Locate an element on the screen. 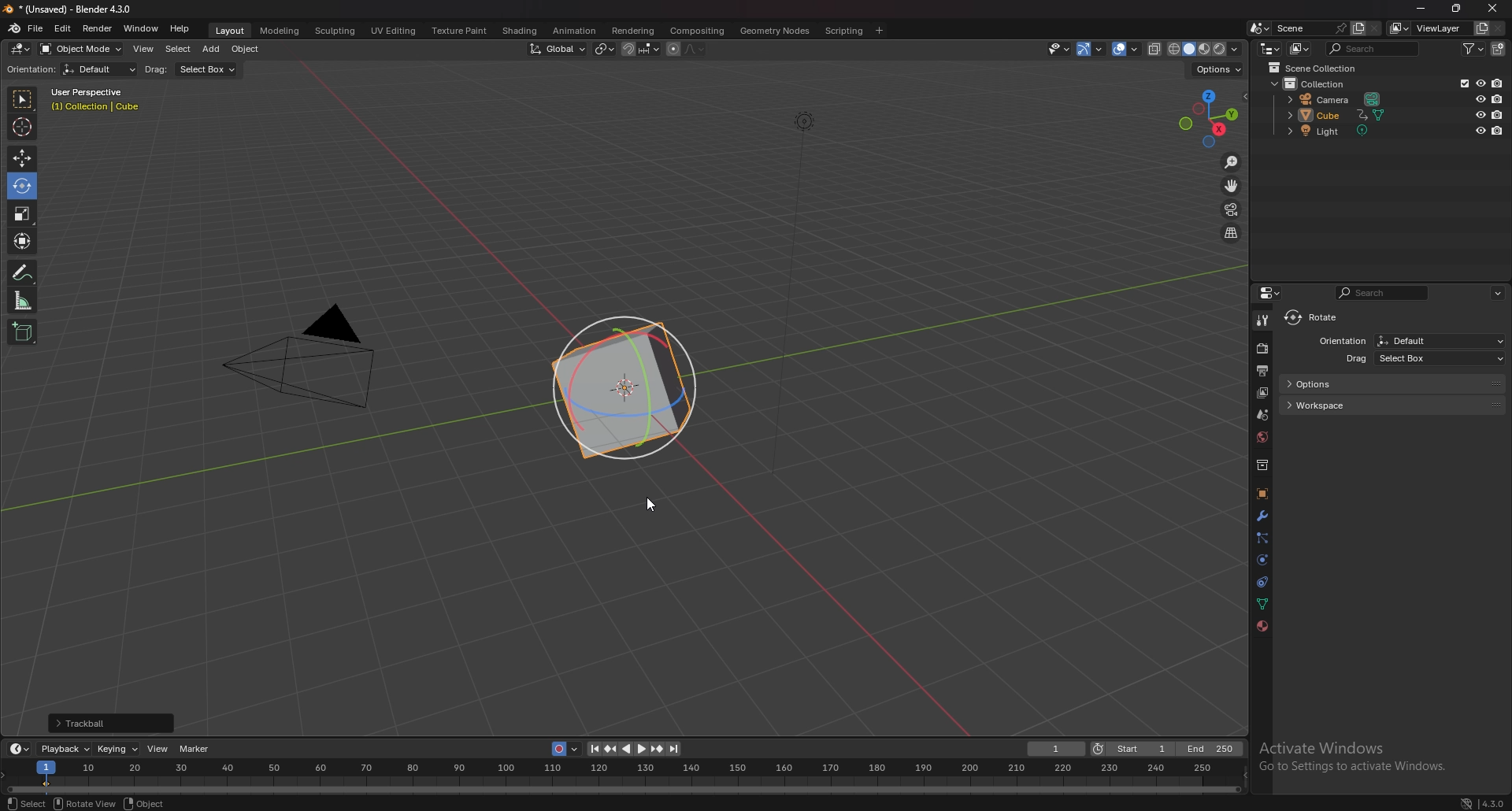 The width and height of the screenshot is (1512, 811). Timeline is located at coordinates (628, 777).